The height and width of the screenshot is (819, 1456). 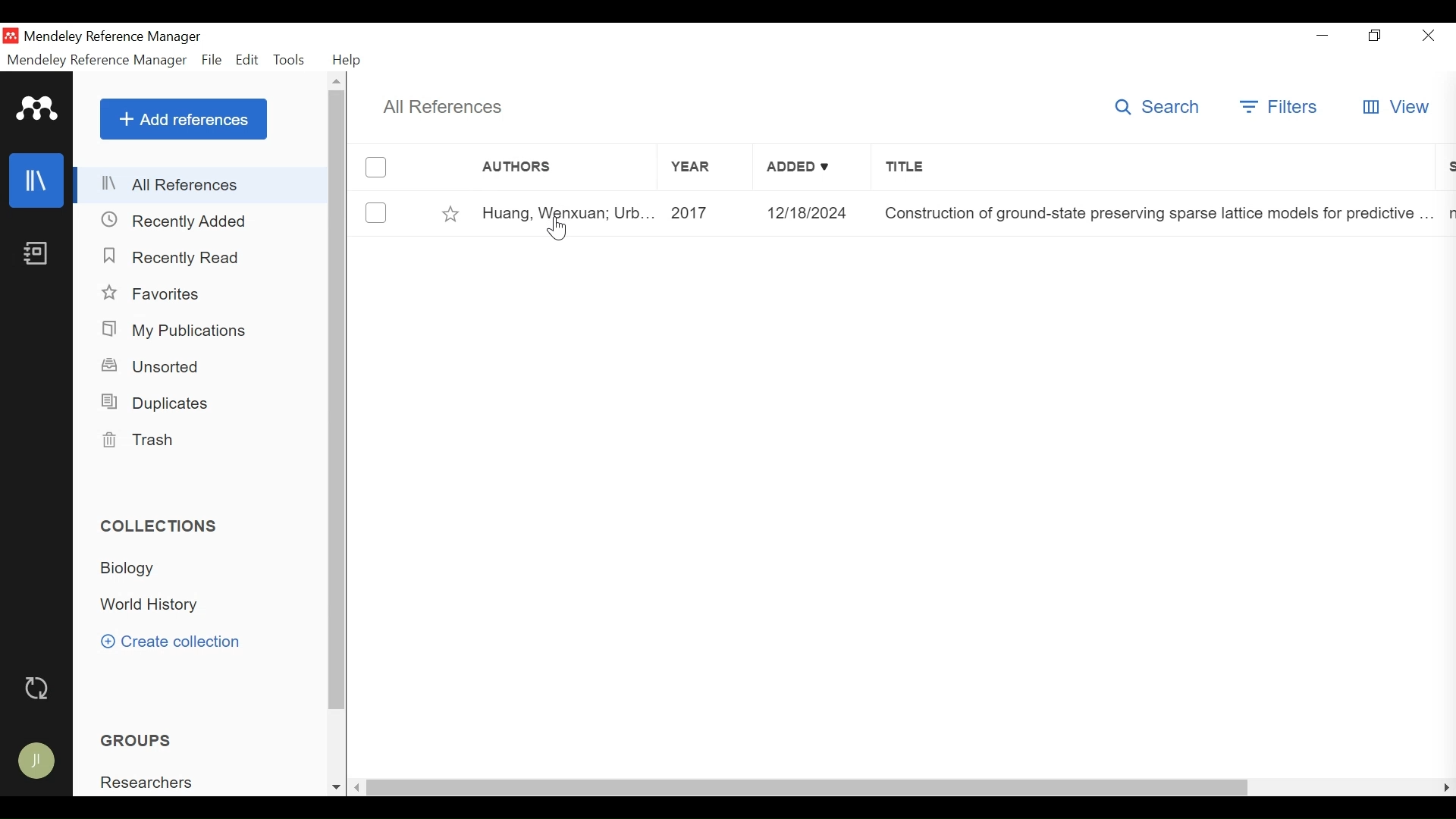 What do you see at coordinates (113, 37) in the screenshot?
I see `Mendeley Reference Manager` at bounding box center [113, 37].